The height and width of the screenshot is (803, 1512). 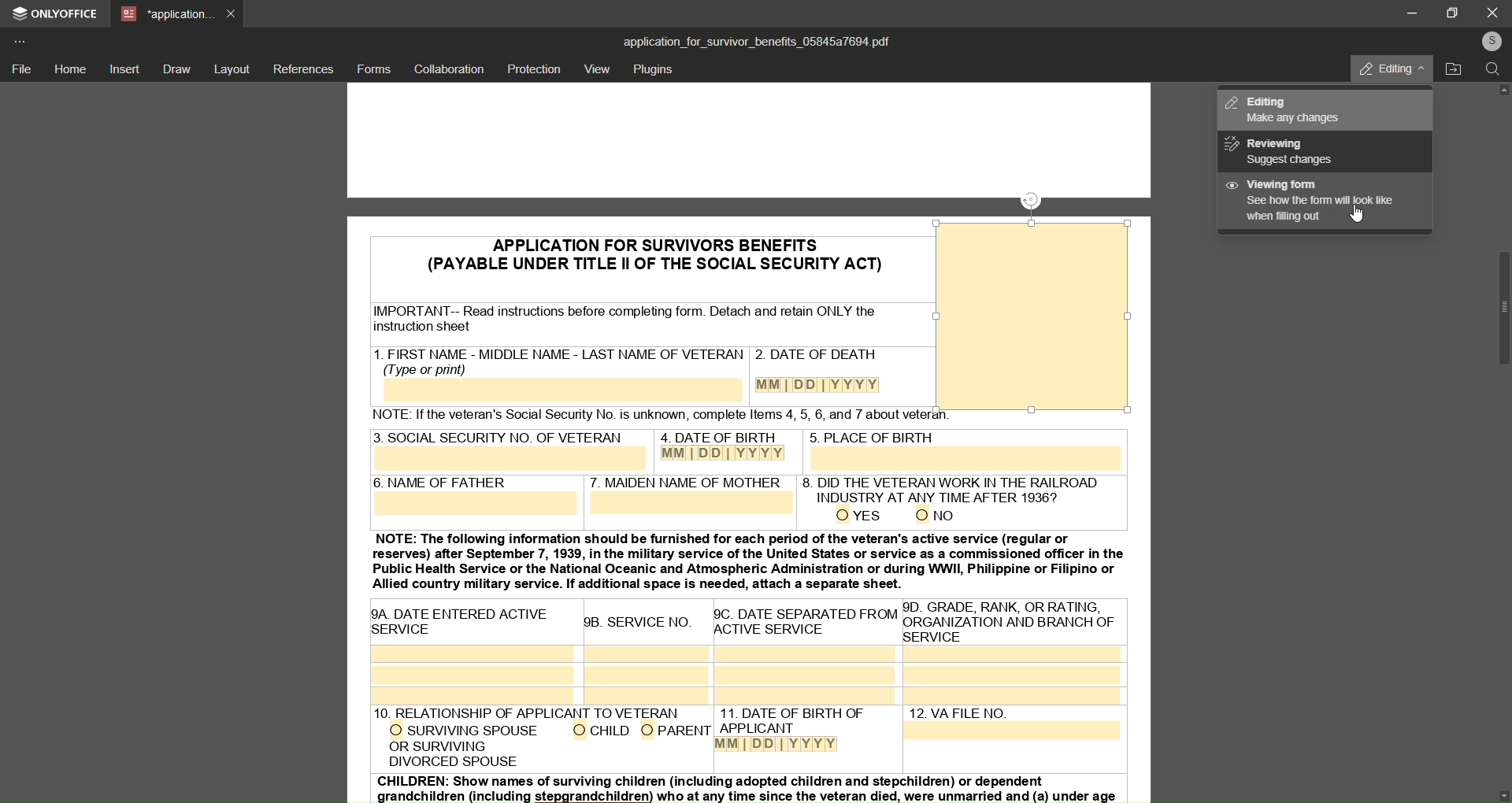 What do you see at coordinates (233, 68) in the screenshot?
I see `layout` at bounding box center [233, 68].